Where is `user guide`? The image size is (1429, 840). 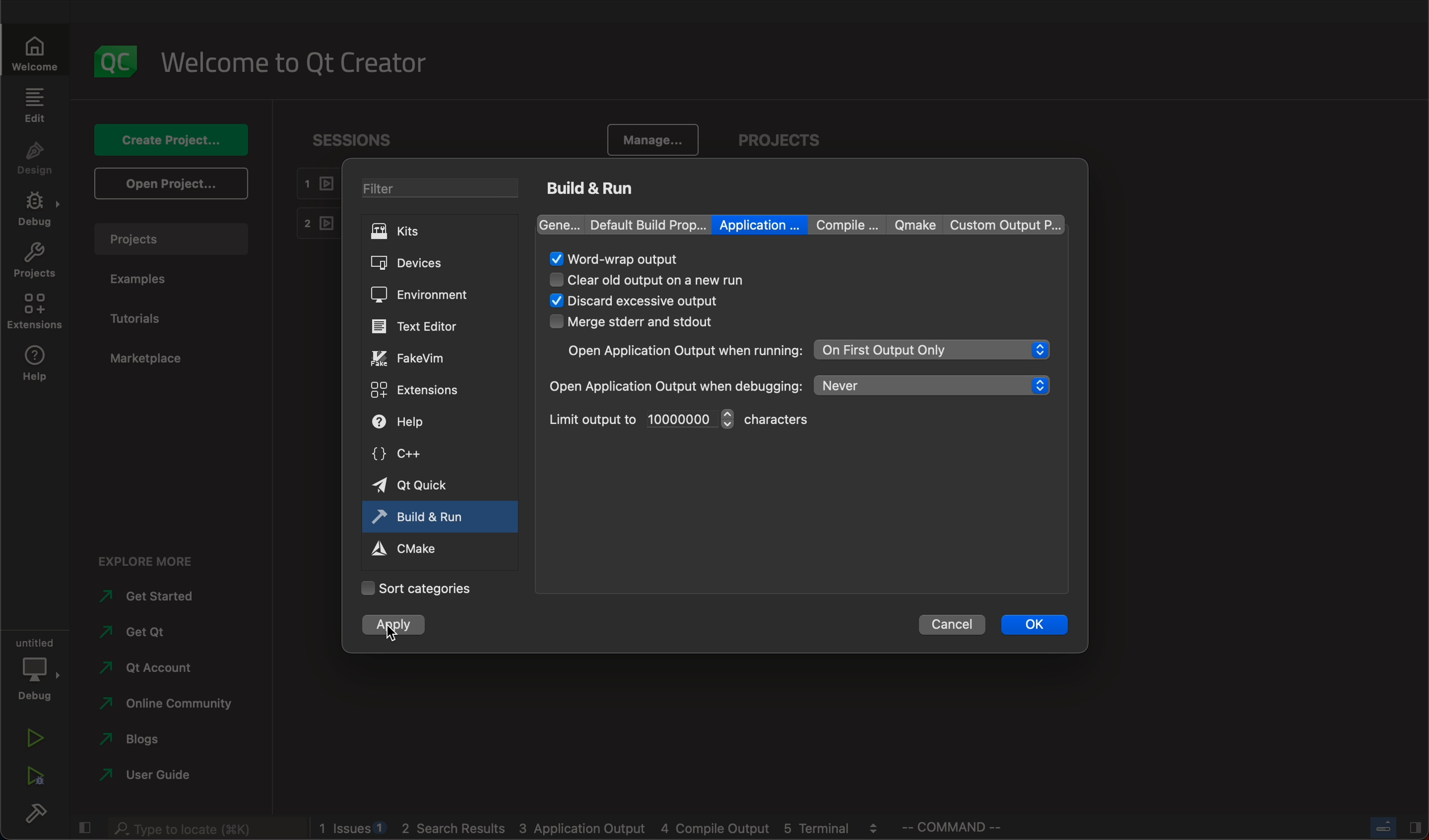 user guide is located at coordinates (152, 775).